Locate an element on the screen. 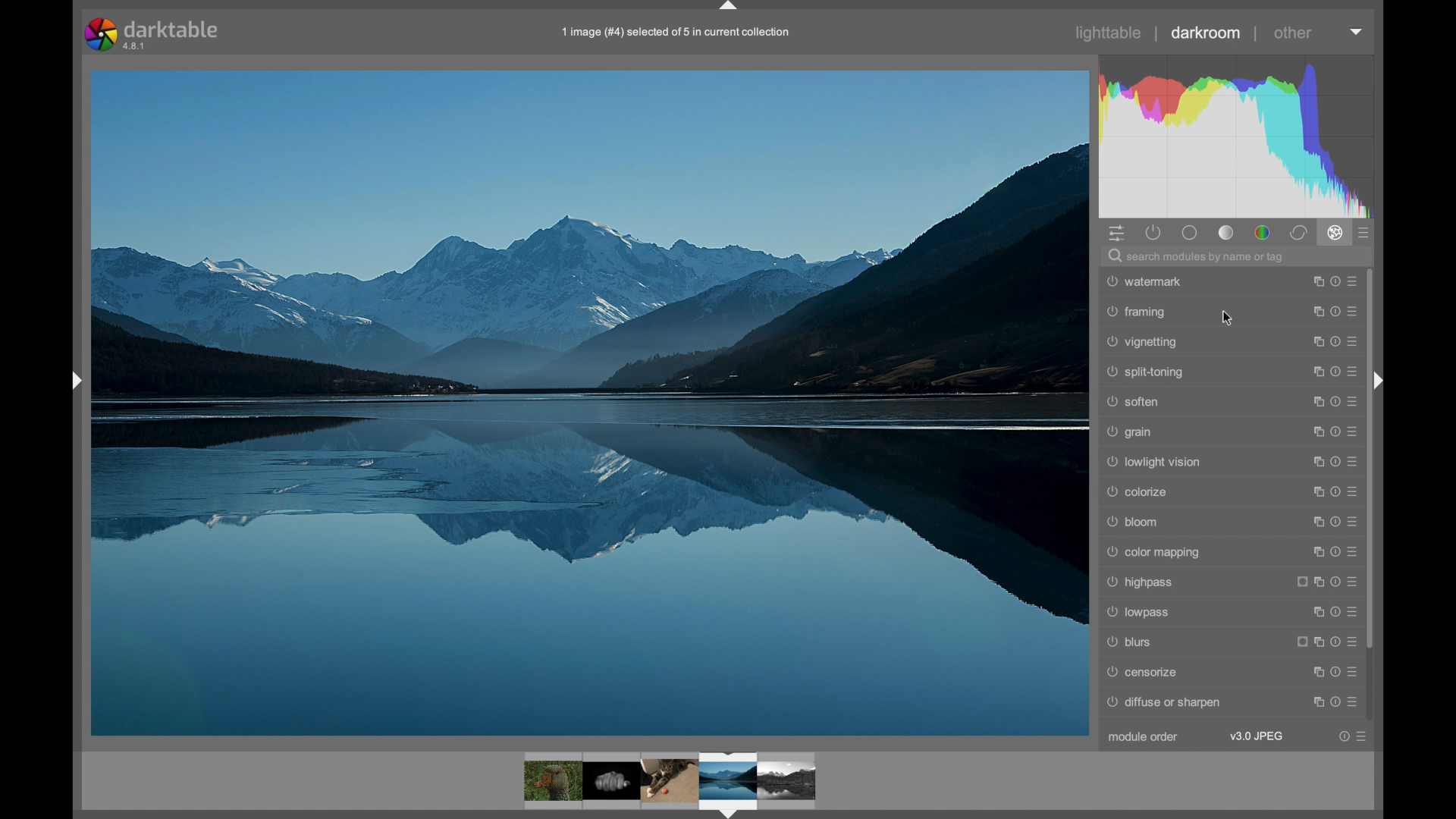  more options is located at coordinates (1334, 701).